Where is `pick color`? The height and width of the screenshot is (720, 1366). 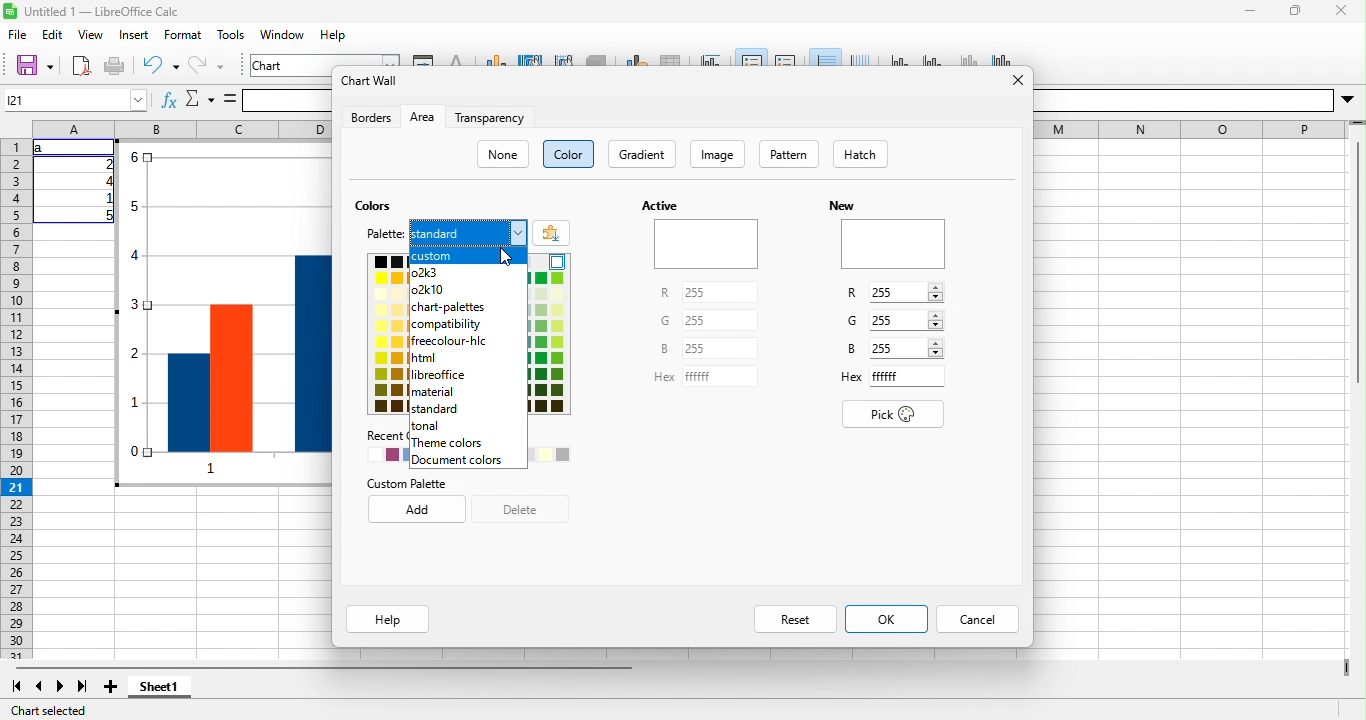 pick color is located at coordinates (893, 414).